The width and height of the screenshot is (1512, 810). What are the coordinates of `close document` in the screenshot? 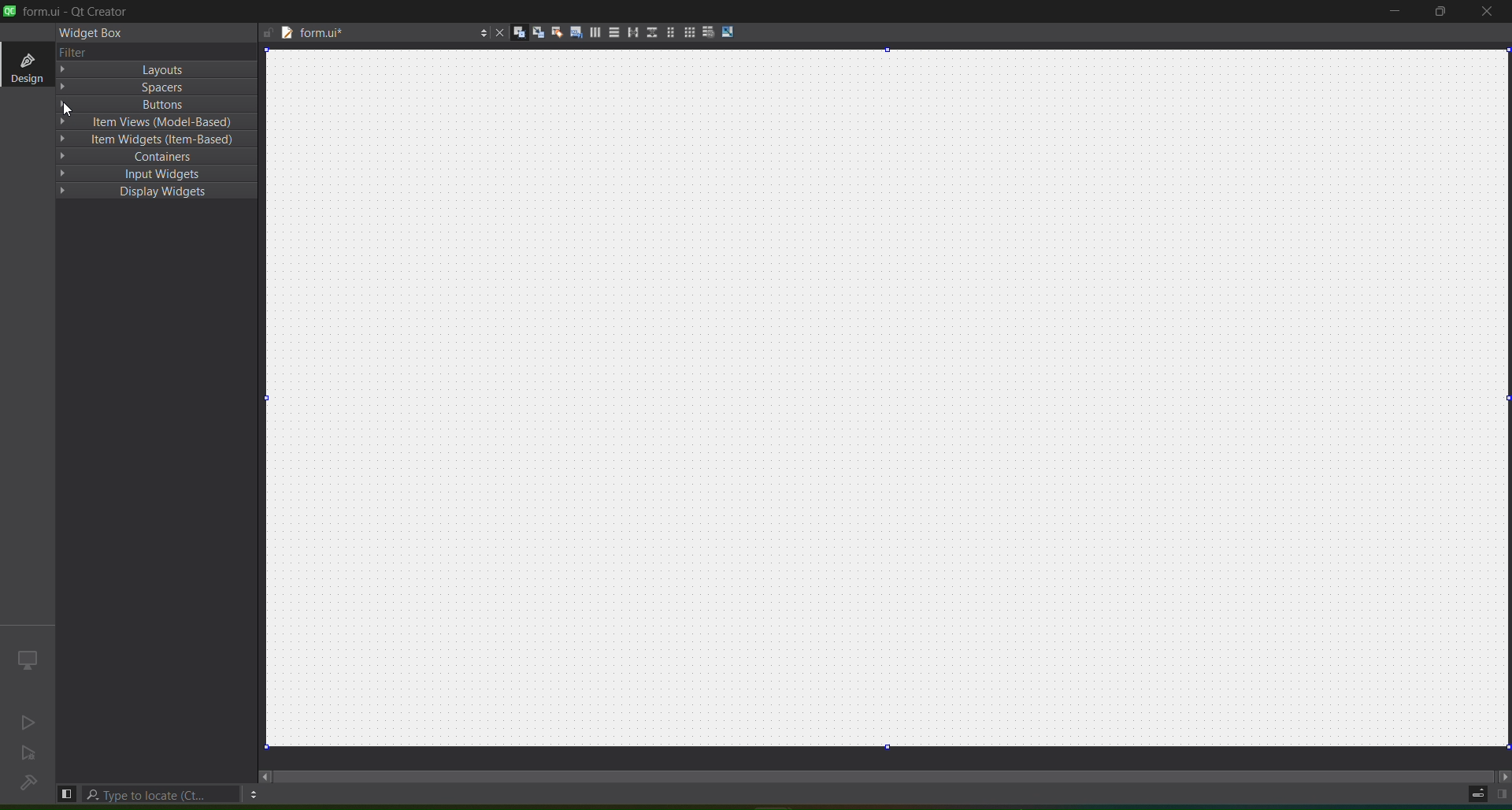 It's located at (498, 33).